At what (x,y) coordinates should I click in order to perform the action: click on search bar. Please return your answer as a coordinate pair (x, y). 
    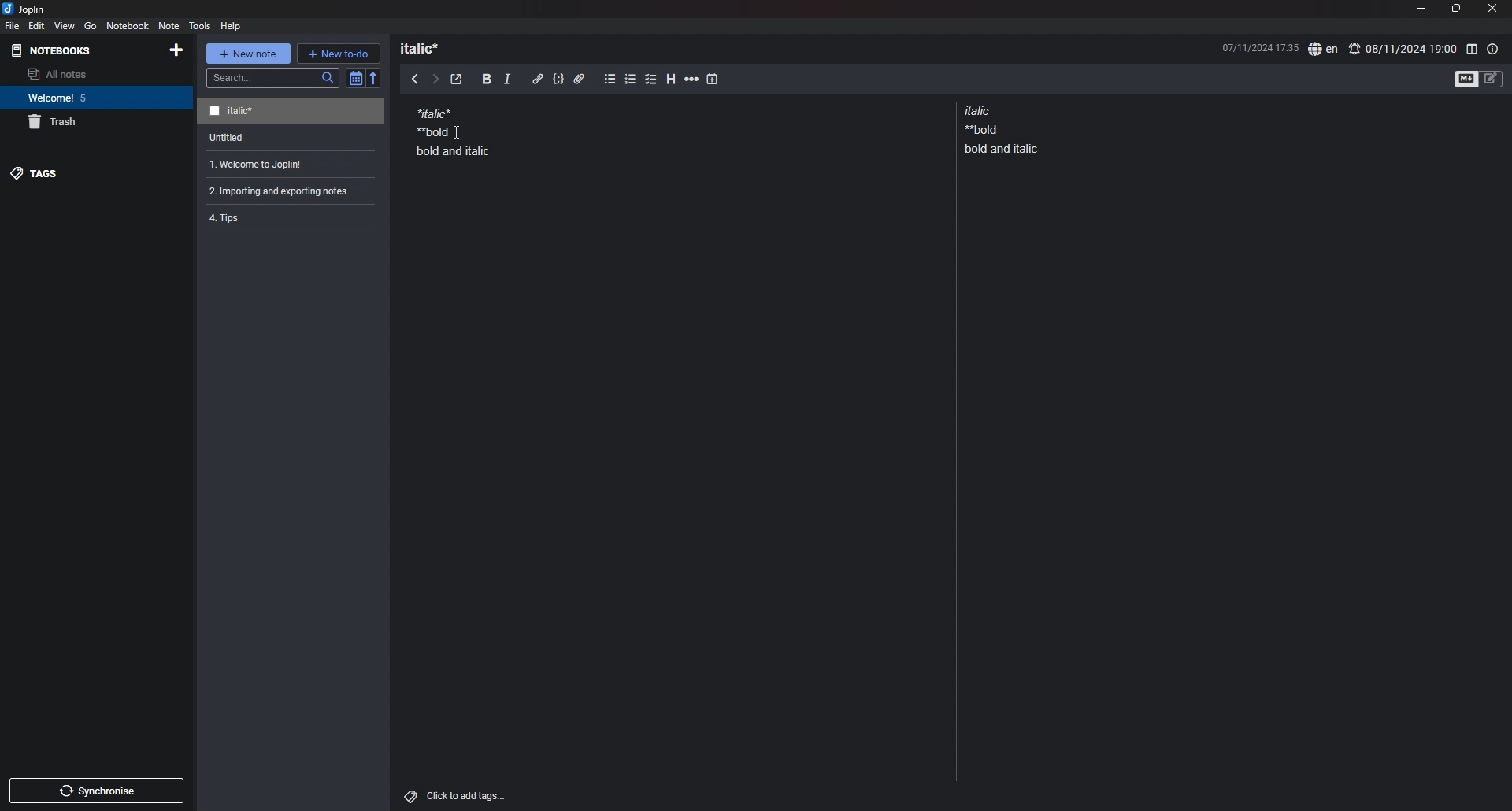
    Looking at the image, I should click on (273, 78).